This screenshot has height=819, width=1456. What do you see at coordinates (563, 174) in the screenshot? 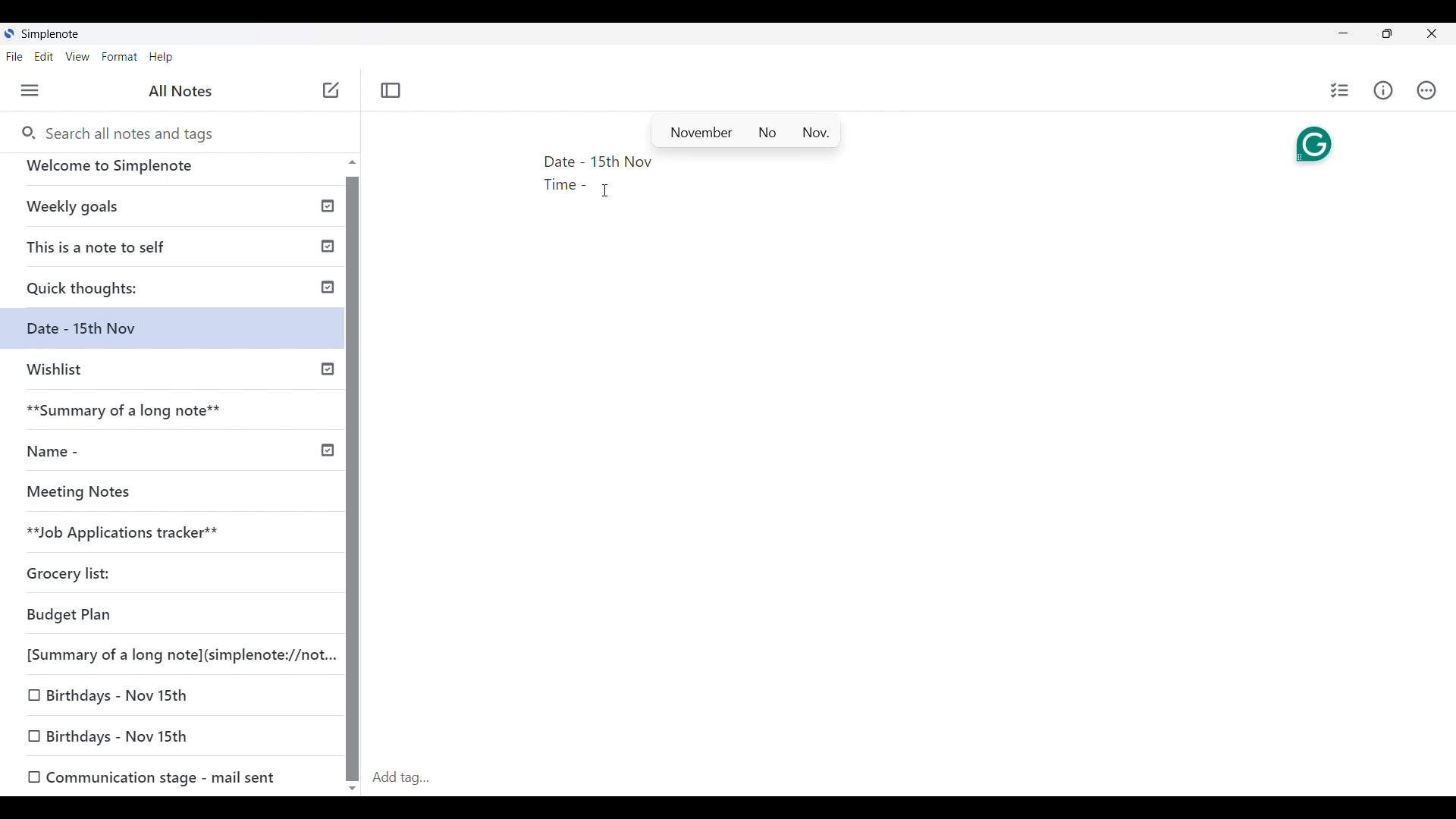
I see `Text pasted` at bounding box center [563, 174].